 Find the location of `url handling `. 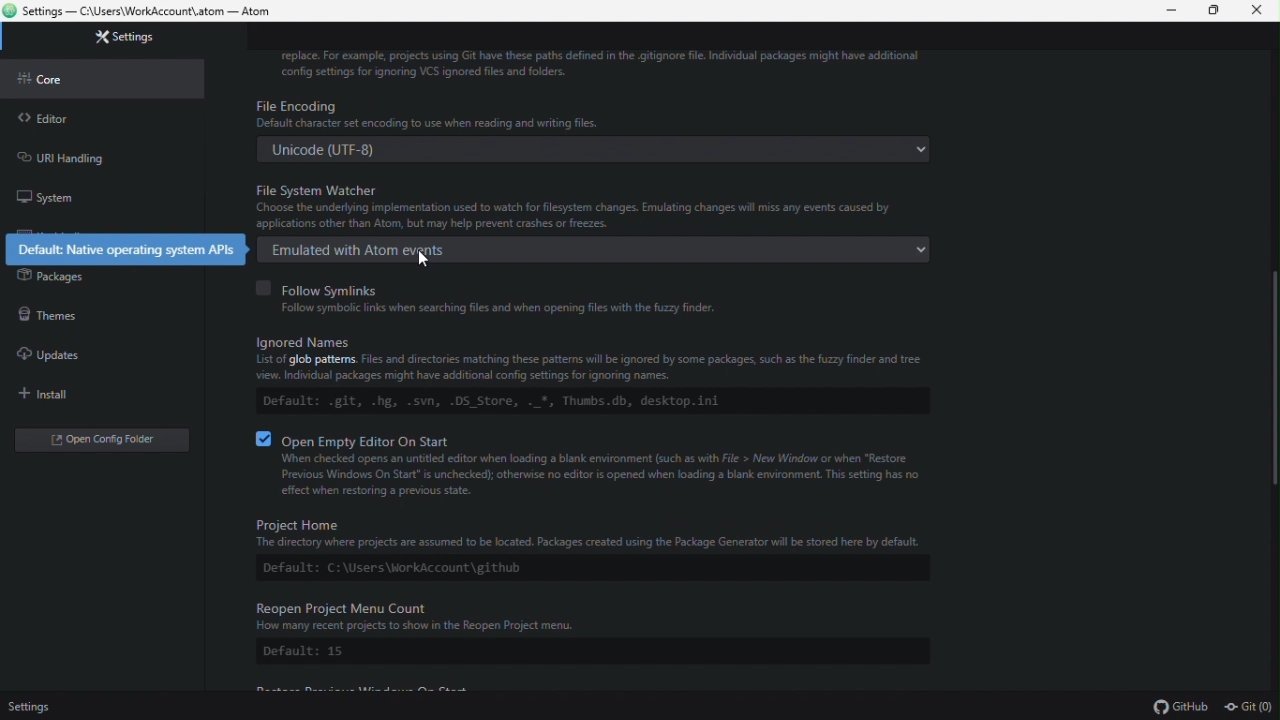

url handling  is located at coordinates (81, 156).